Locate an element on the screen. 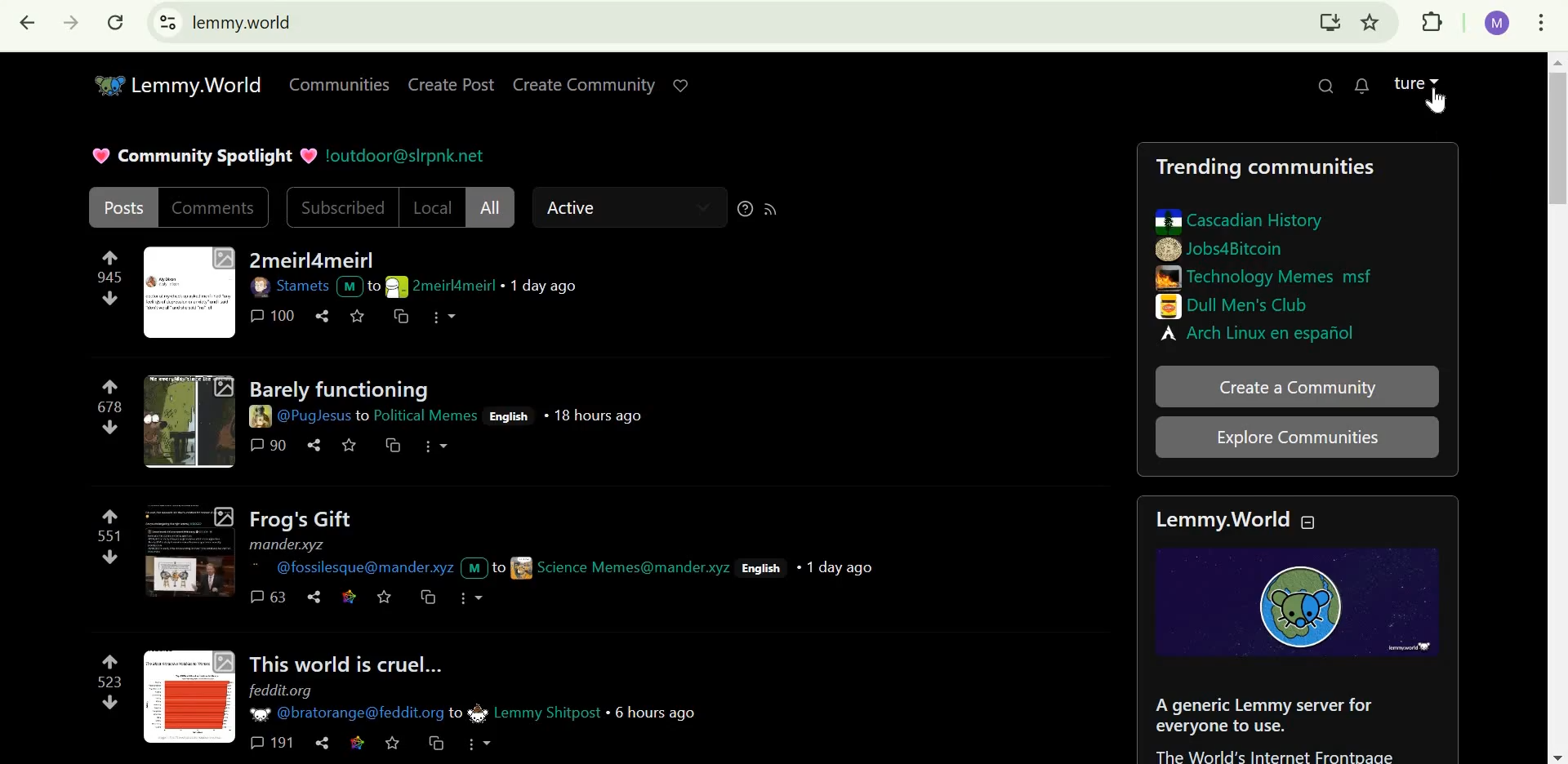 Image resolution: width=1568 pixels, height=764 pixels. search is located at coordinates (1327, 84).